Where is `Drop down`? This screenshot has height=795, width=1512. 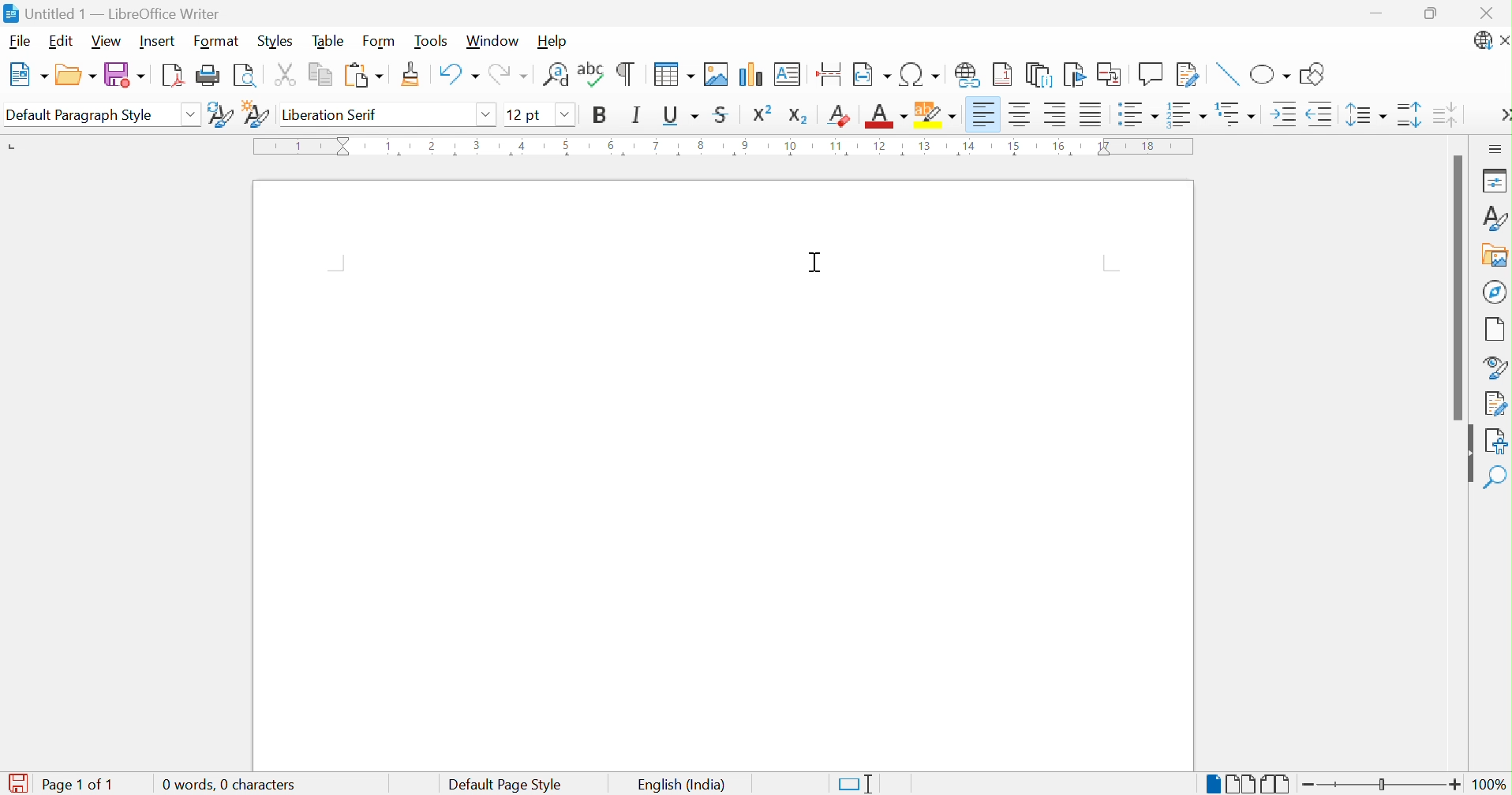 Drop down is located at coordinates (489, 117).